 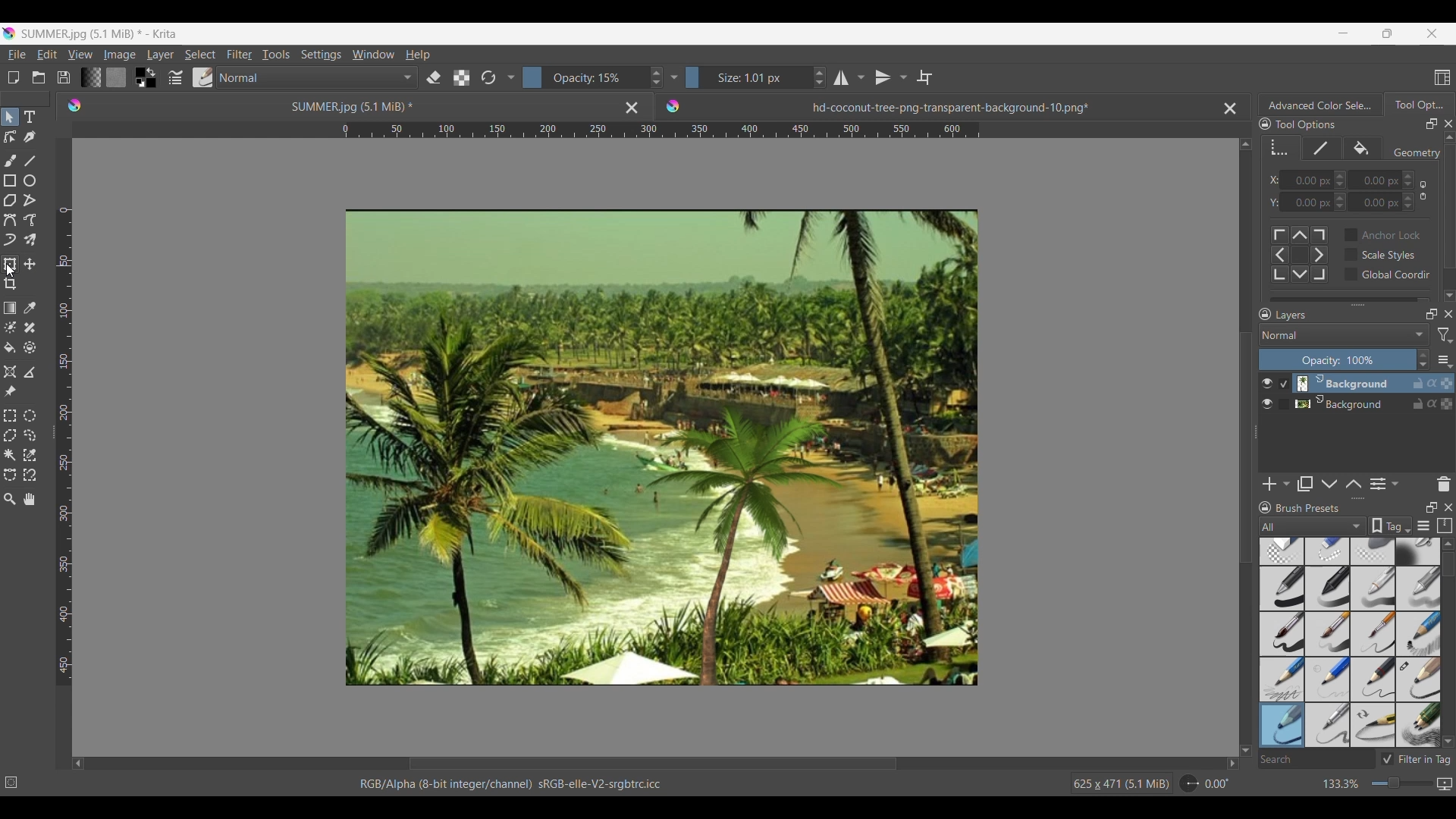 I want to click on Expand/Collapse, so click(x=1257, y=432).